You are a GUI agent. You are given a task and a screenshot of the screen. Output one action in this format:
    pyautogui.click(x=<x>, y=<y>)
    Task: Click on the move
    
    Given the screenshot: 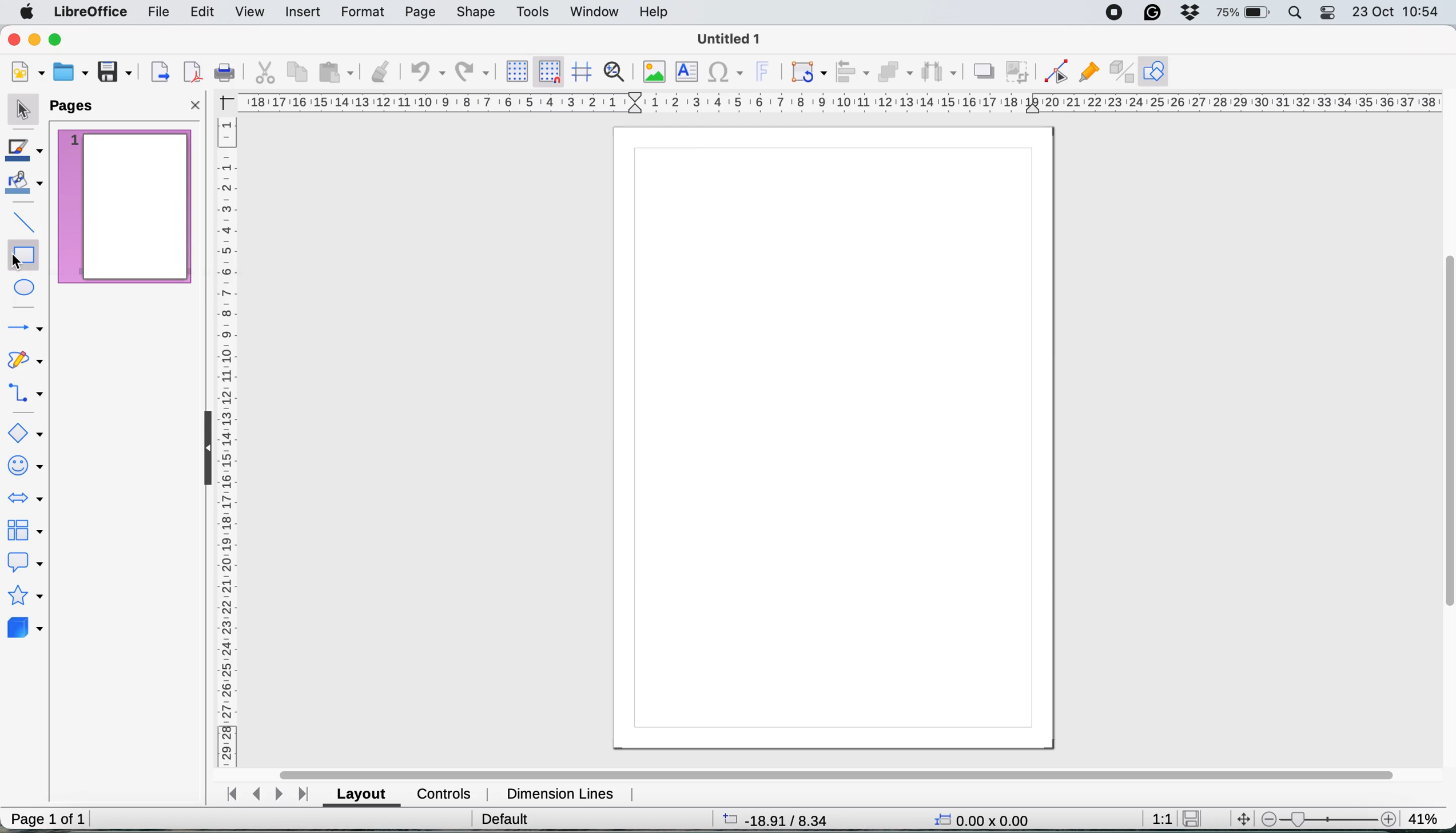 What is the action you would take?
    pyautogui.click(x=1244, y=819)
    